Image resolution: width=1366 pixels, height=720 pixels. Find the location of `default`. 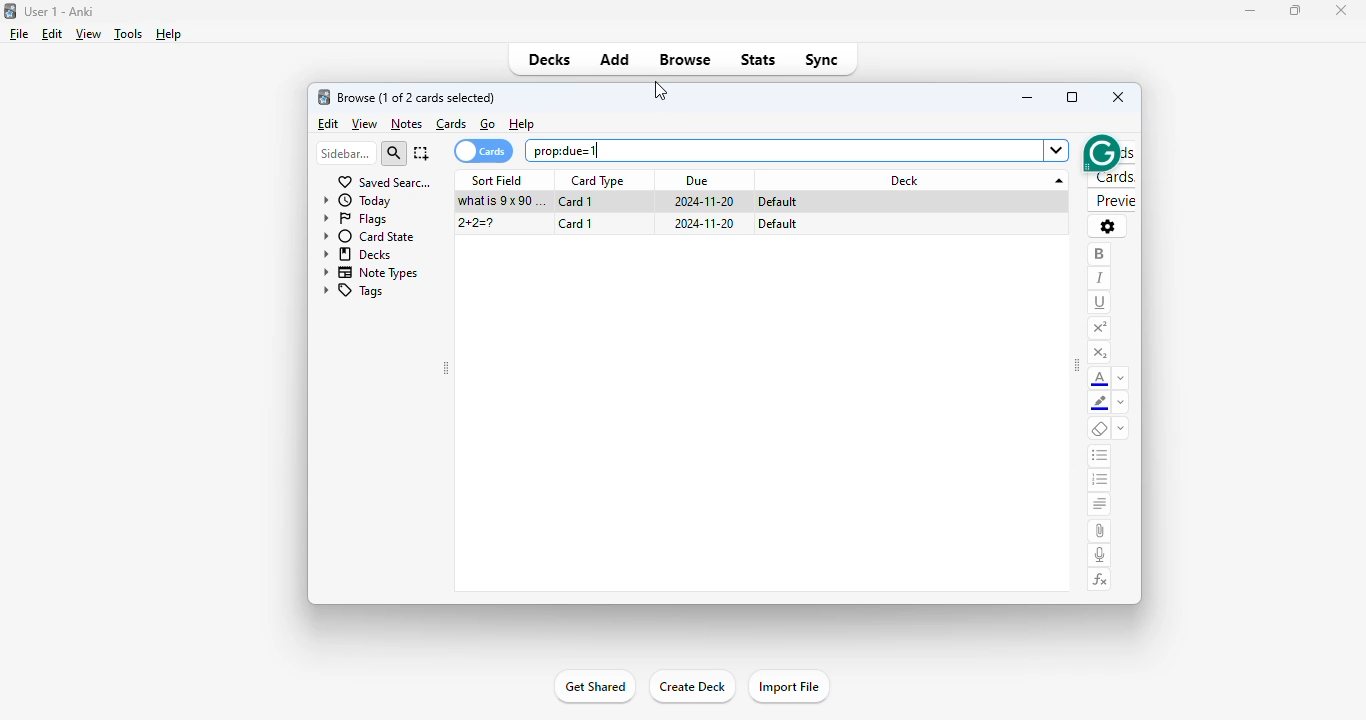

default is located at coordinates (777, 201).